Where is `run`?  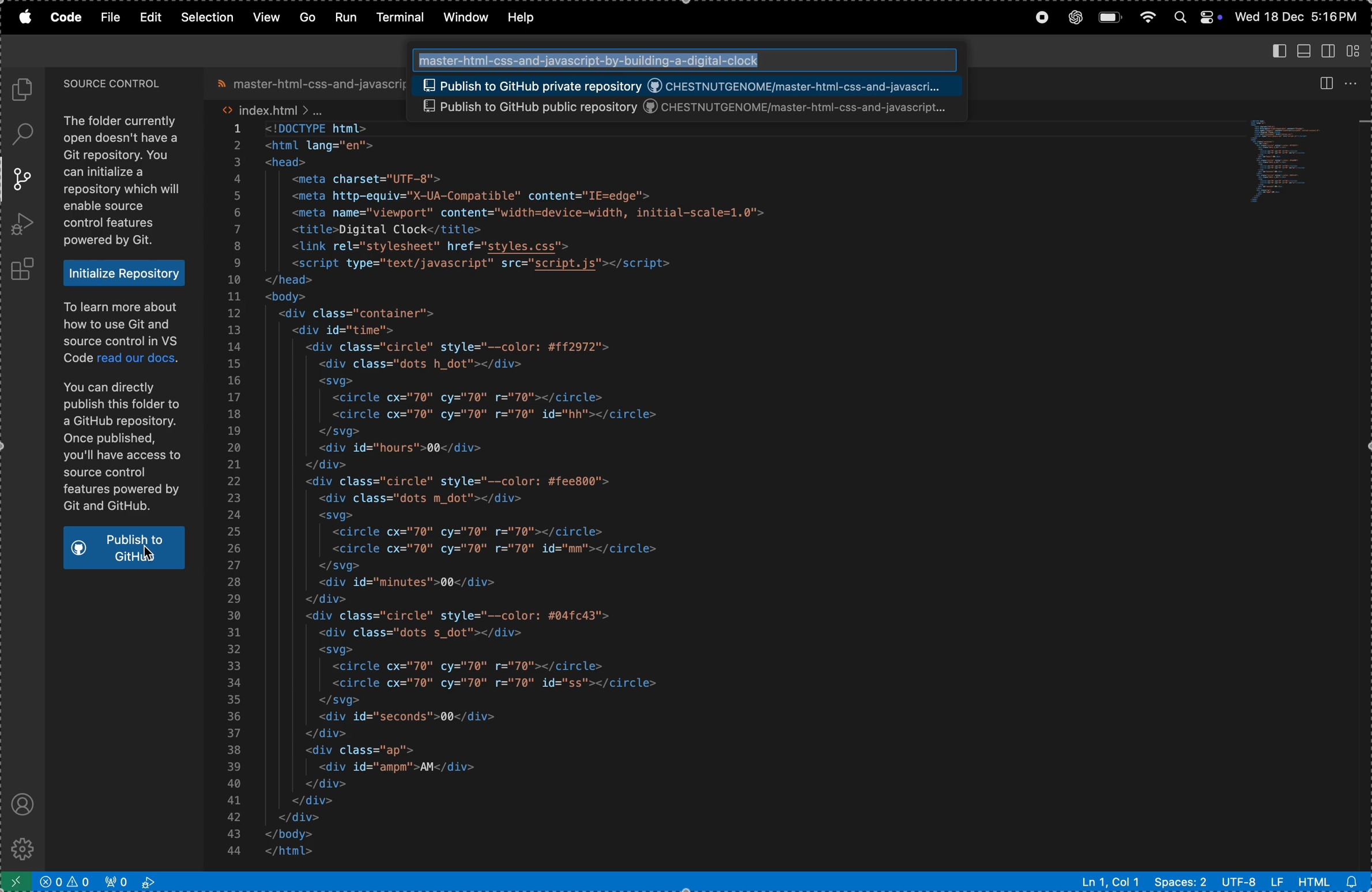 run is located at coordinates (342, 16).